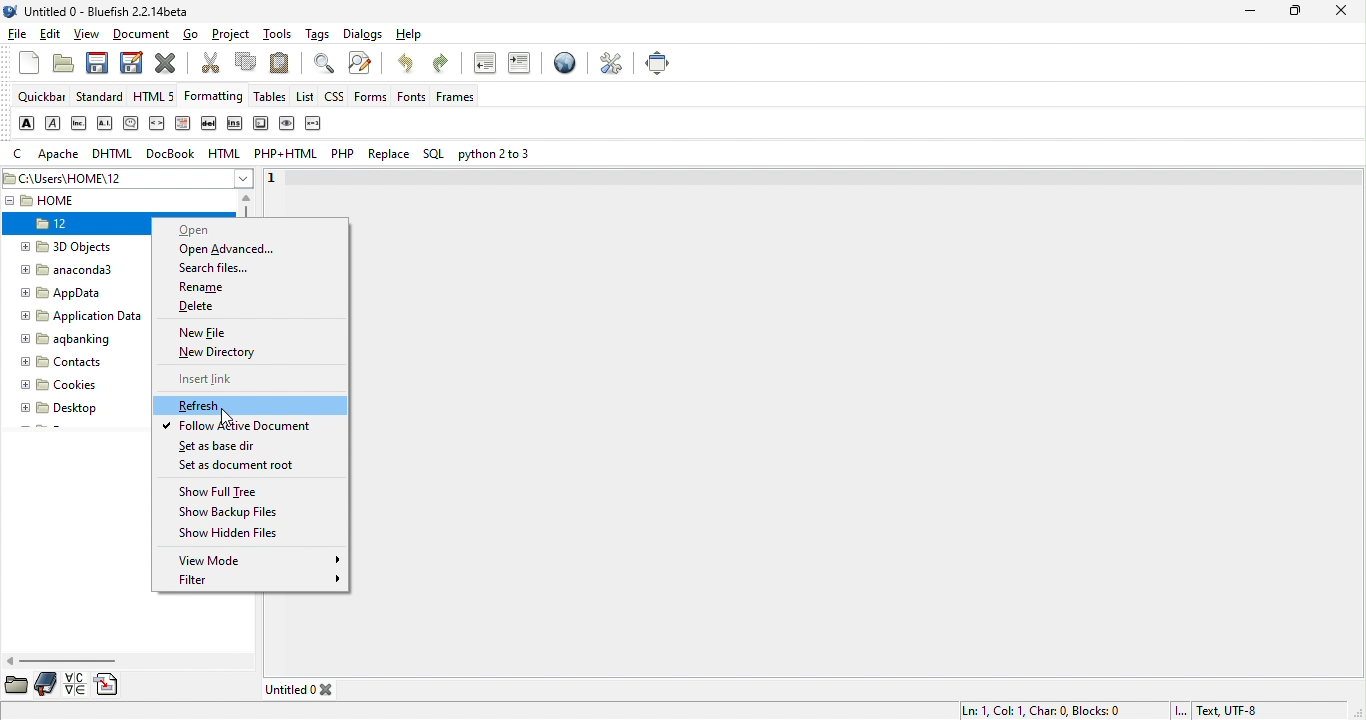 Image resolution: width=1366 pixels, height=720 pixels. What do you see at coordinates (276, 180) in the screenshot?
I see `1` at bounding box center [276, 180].